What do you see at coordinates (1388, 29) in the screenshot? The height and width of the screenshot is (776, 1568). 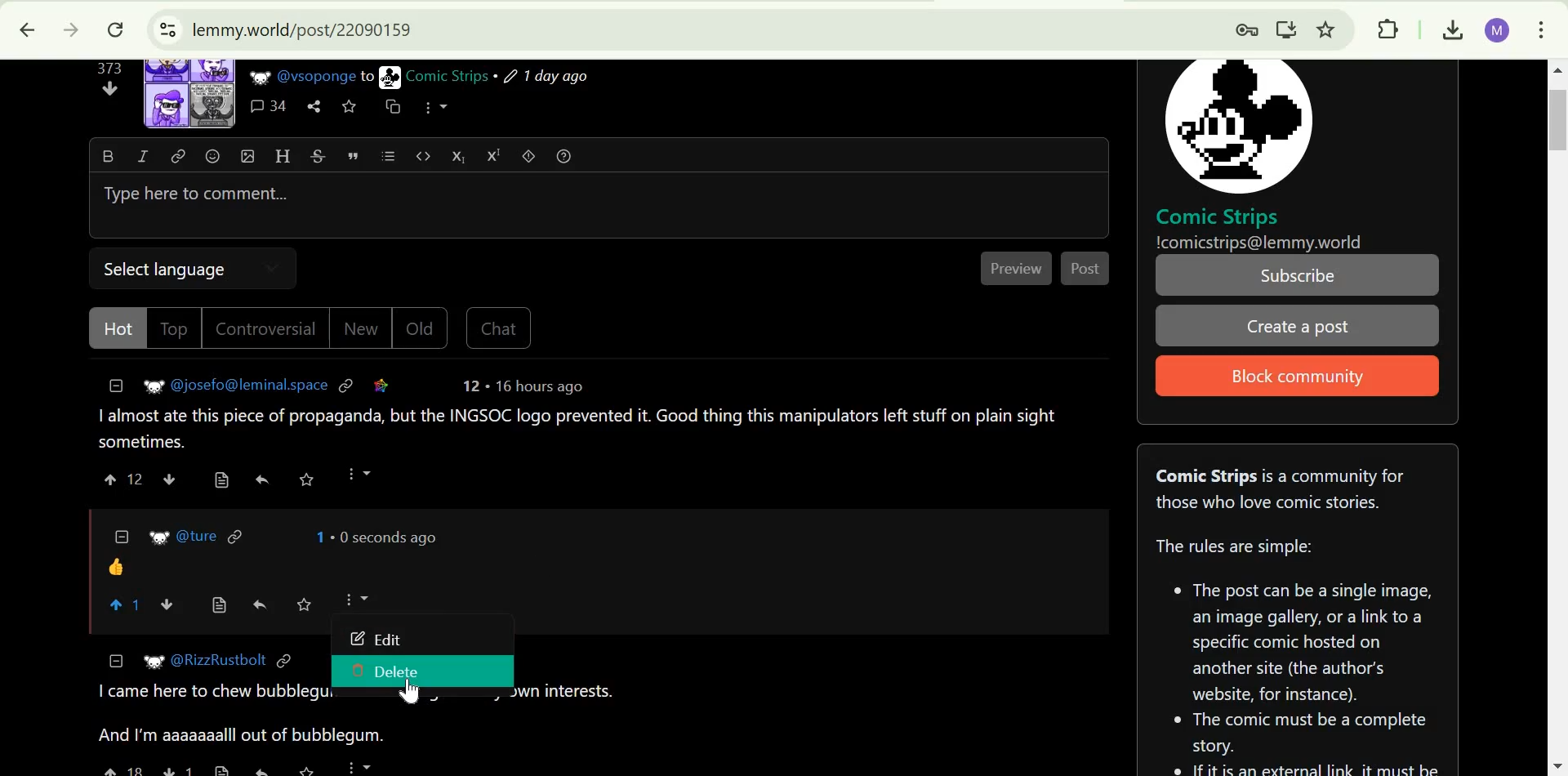 I see `Extensions` at bounding box center [1388, 29].